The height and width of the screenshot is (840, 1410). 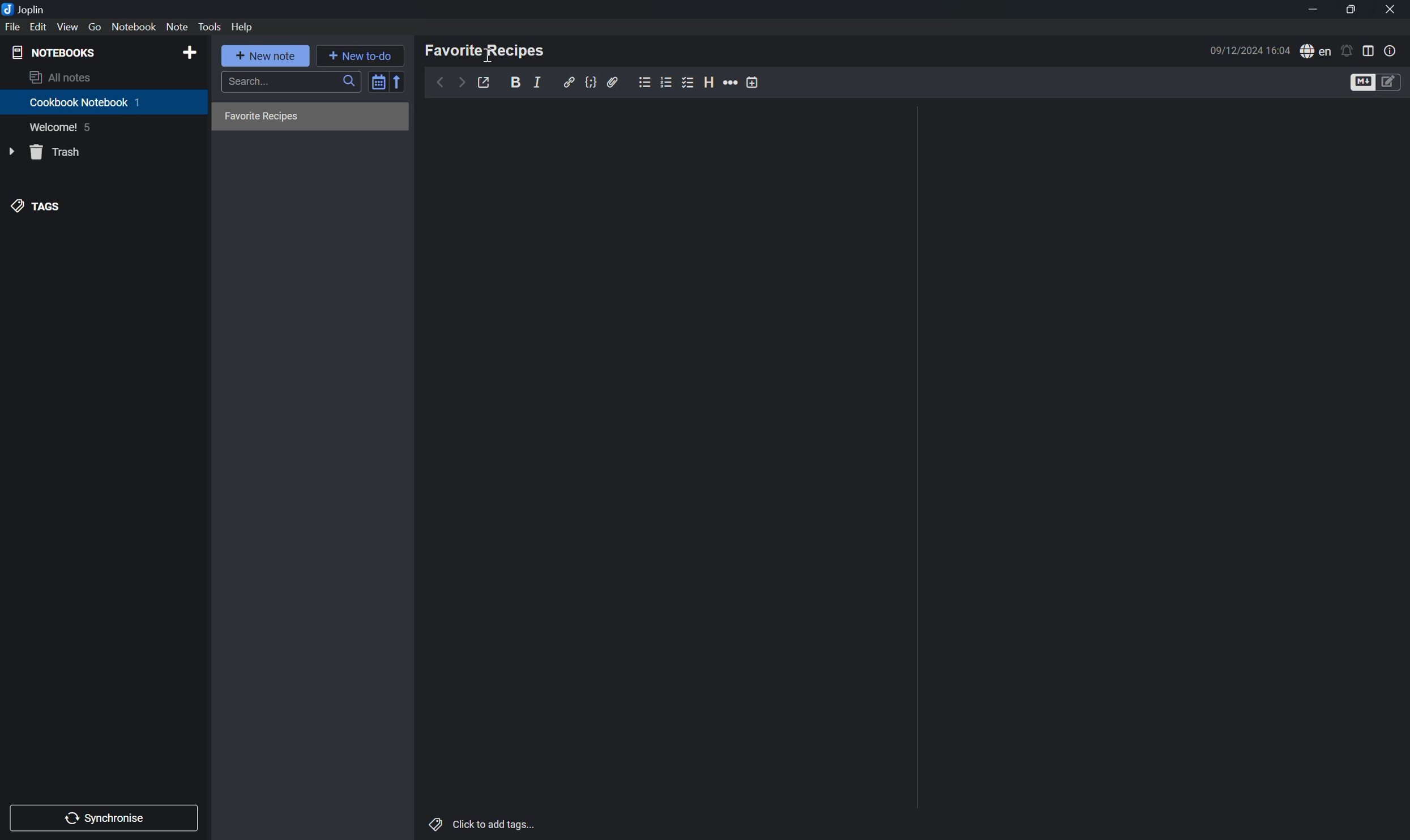 What do you see at coordinates (1317, 50) in the screenshot?
I see `Spell checker` at bounding box center [1317, 50].